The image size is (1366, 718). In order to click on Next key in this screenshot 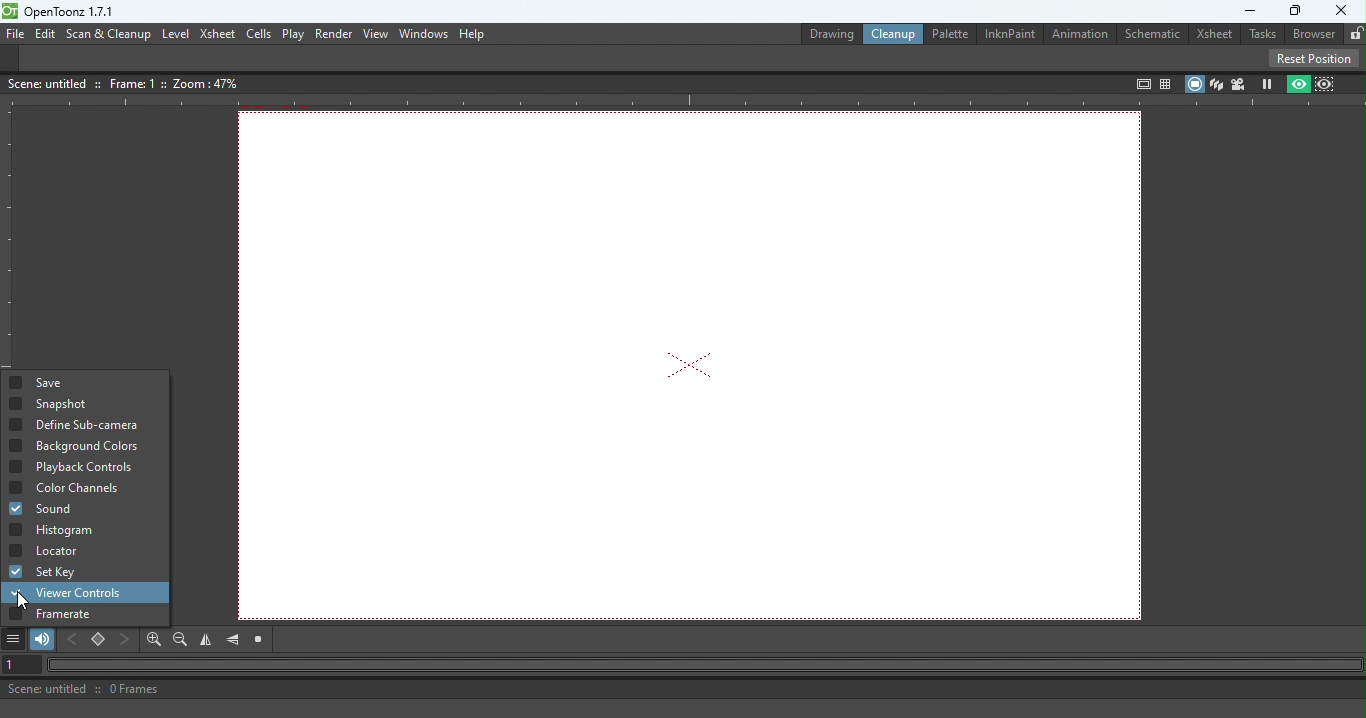, I will do `click(126, 640)`.